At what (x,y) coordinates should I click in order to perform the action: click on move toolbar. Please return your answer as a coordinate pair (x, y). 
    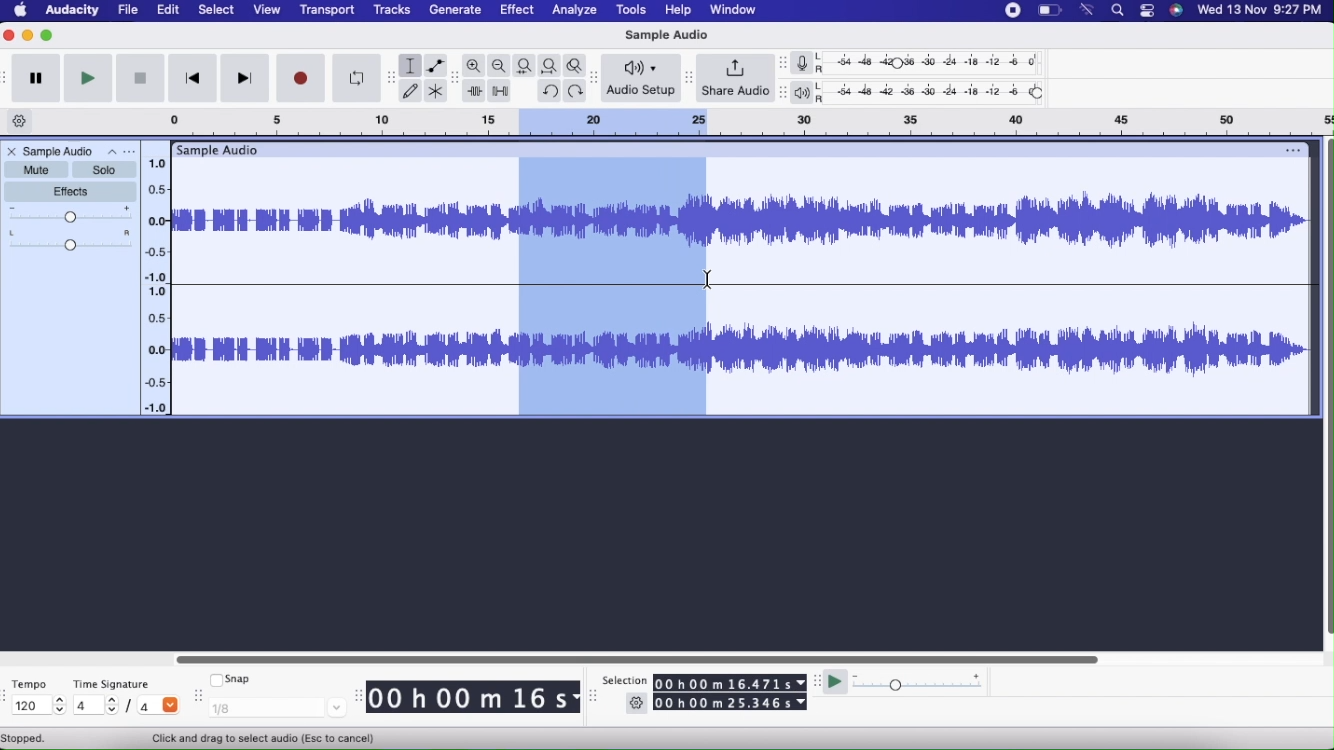
    Looking at the image, I should click on (783, 94).